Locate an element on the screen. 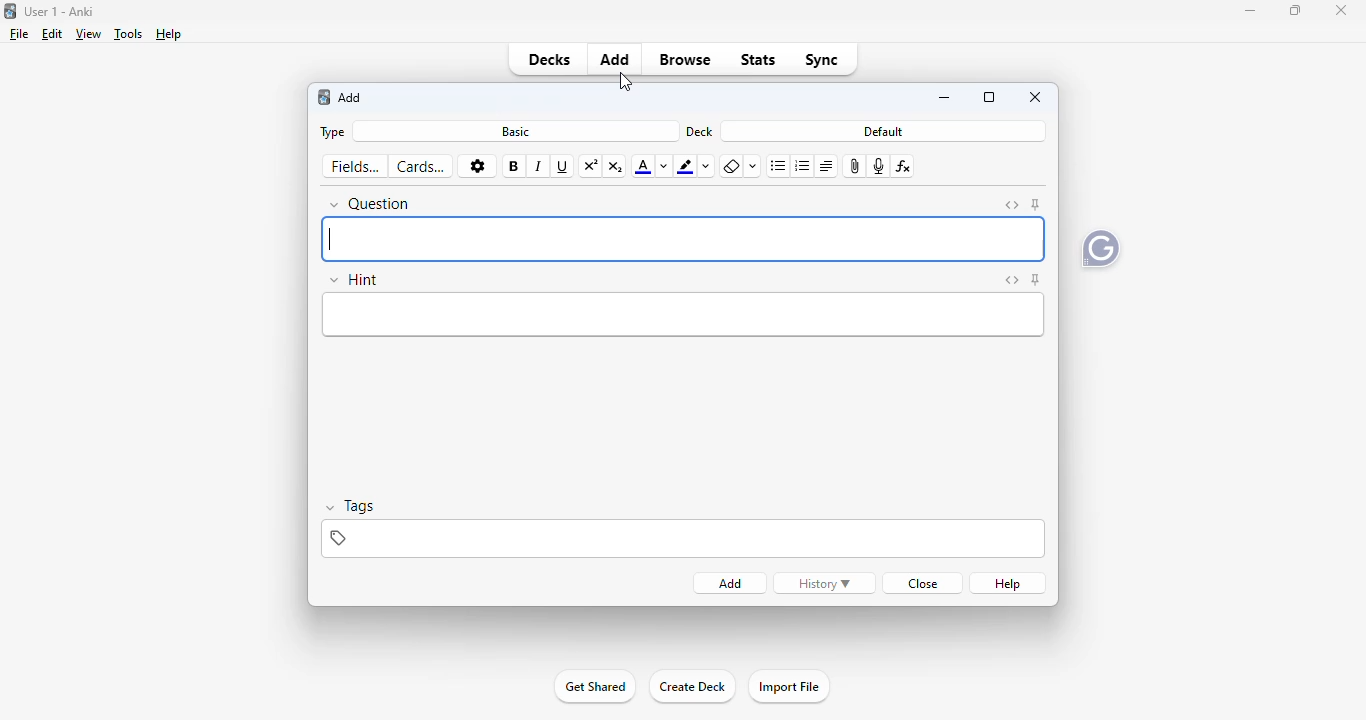 This screenshot has height=720, width=1366. options is located at coordinates (477, 166).